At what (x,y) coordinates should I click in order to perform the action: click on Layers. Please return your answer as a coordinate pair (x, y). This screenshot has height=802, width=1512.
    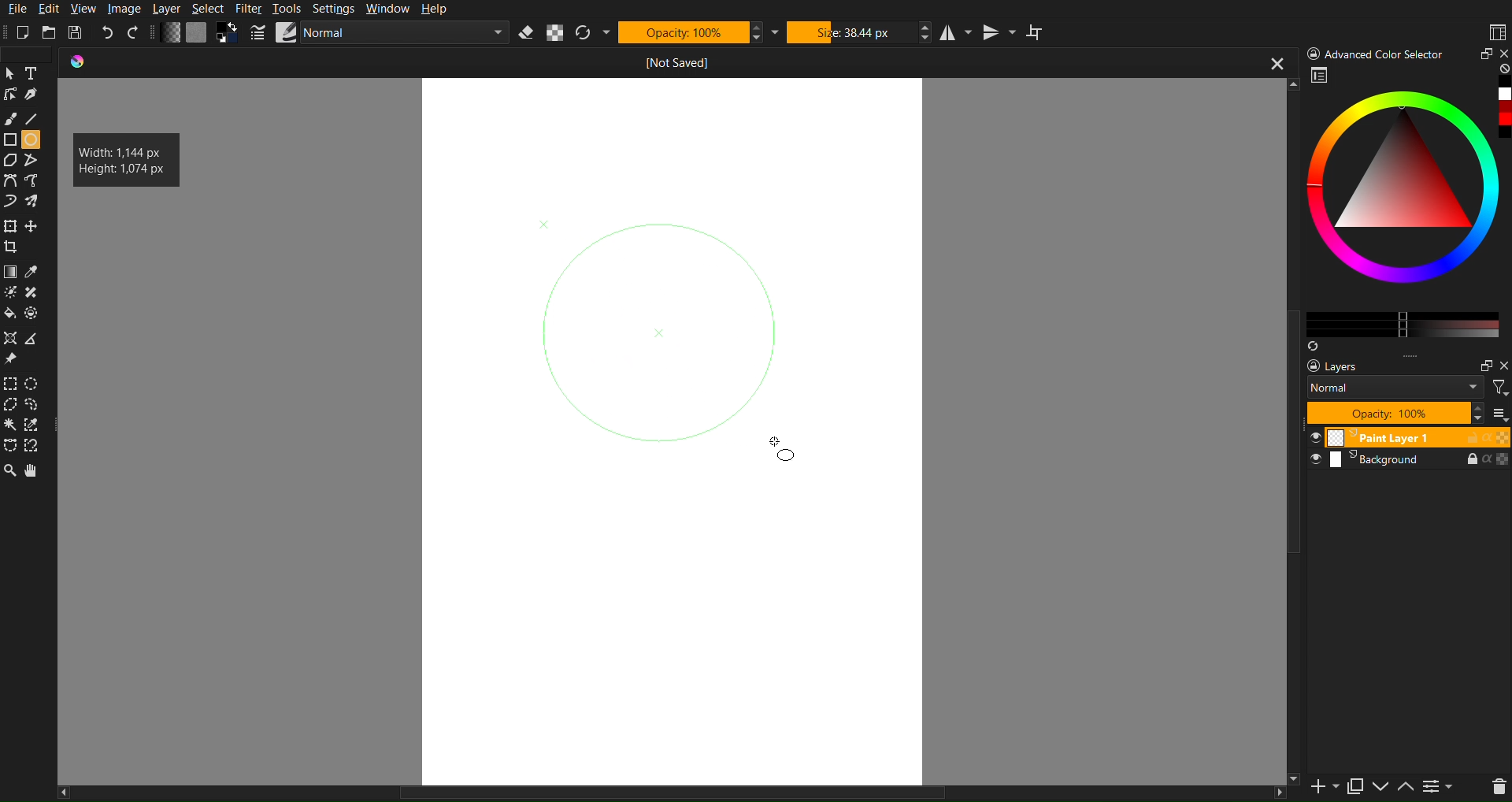
    Looking at the image, I should click on (1336, 366).